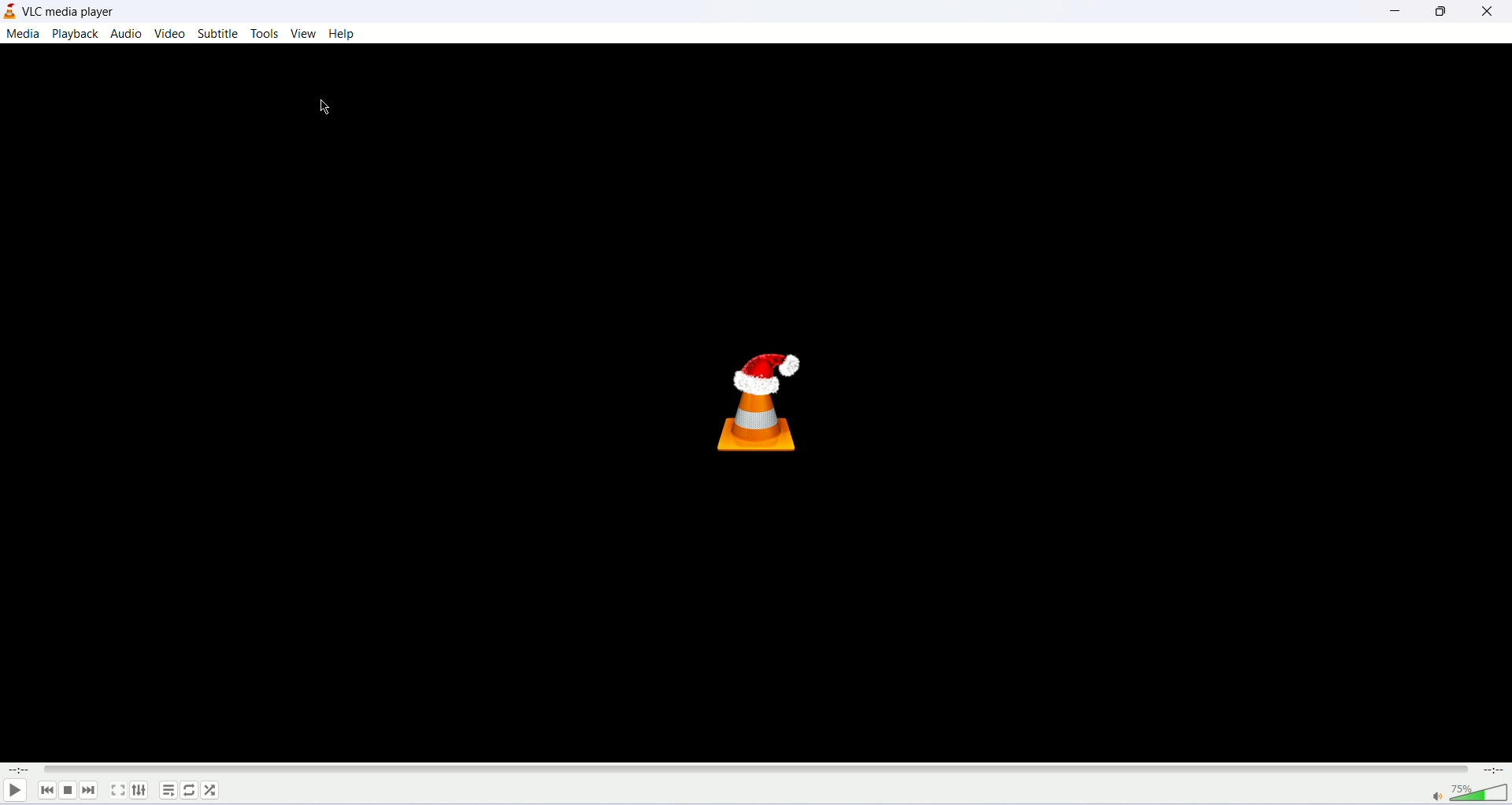 The height and width of the screenshot is (805, 1512). What do you see at coordinates (18, 770) in the screenshot?
I see `playback time` at bounding box center [18, 770].